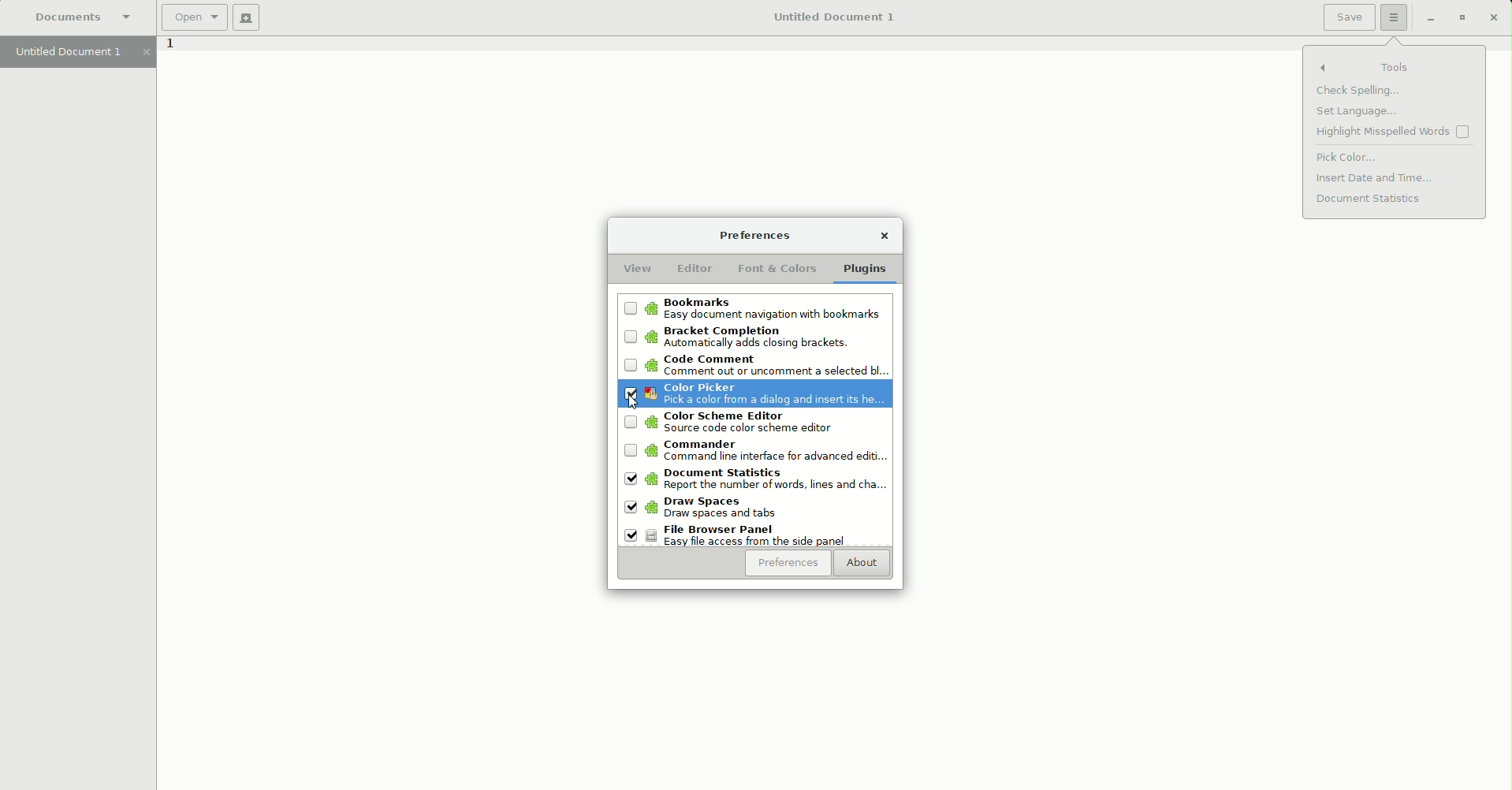  I want to click on Save, so click(1349, 17).